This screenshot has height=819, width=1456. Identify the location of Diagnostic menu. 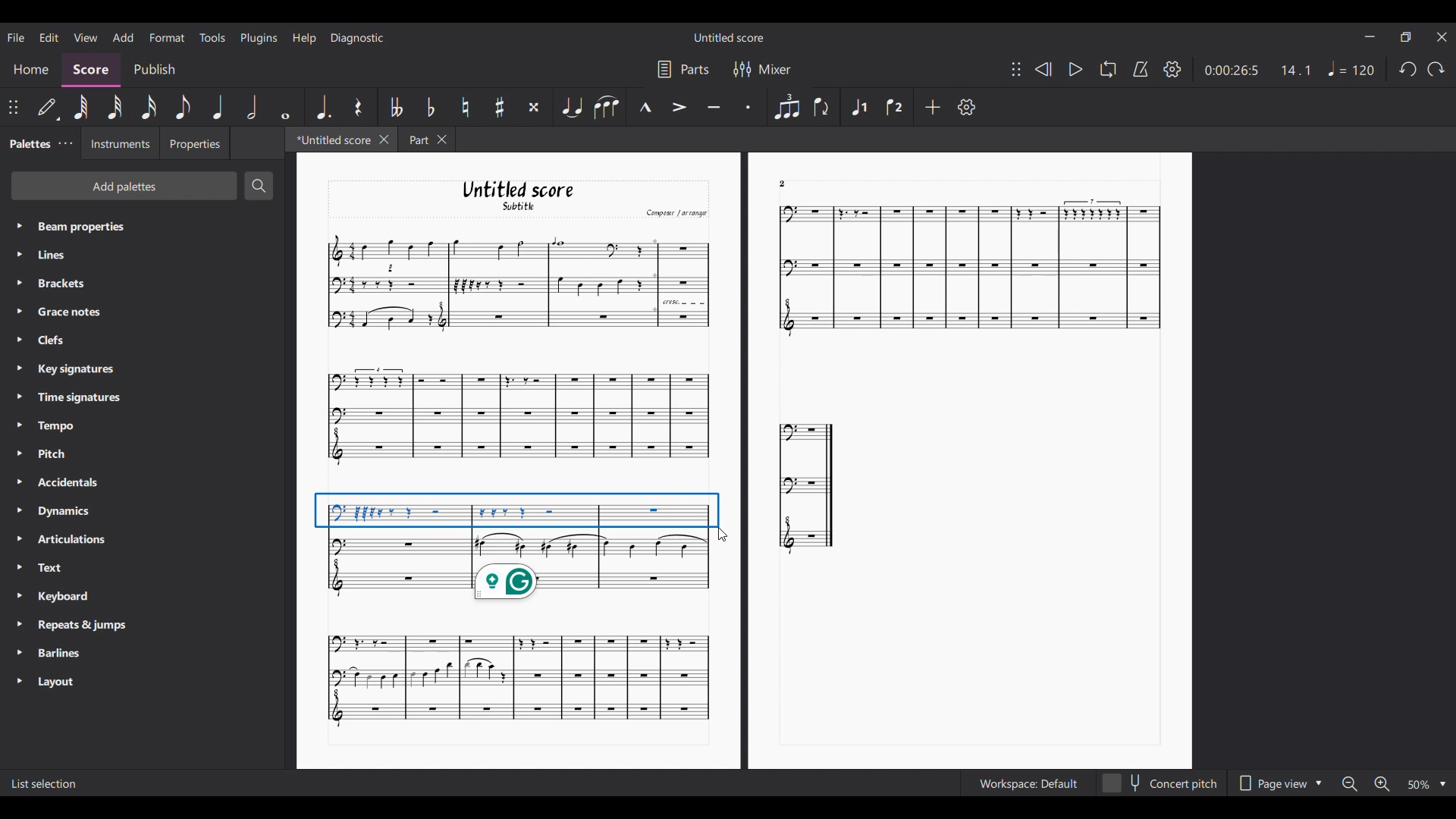
(358, 38).